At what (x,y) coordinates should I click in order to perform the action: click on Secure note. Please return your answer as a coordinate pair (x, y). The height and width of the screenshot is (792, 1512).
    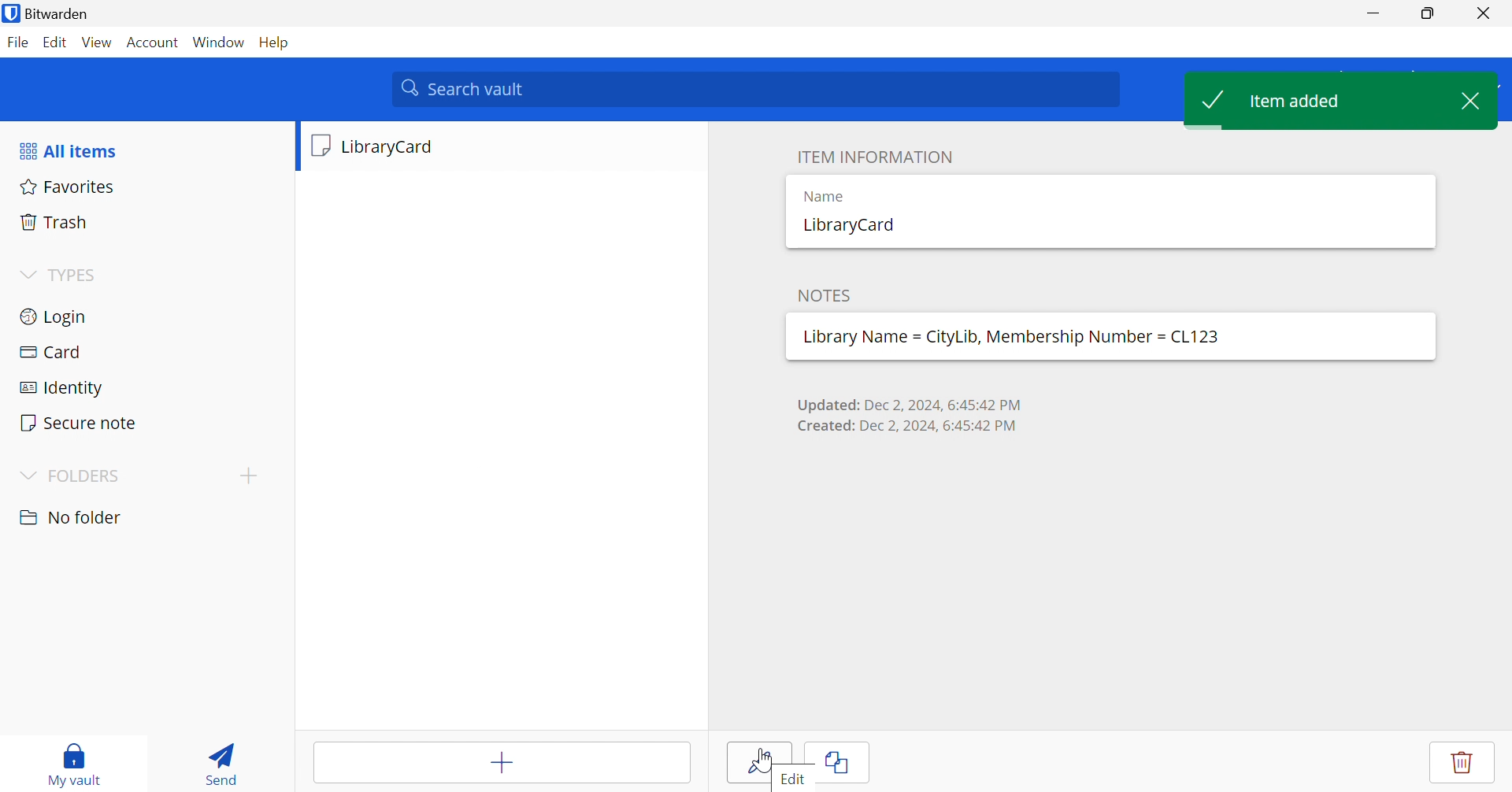
    Looking at the image, I should click on (143, 420).